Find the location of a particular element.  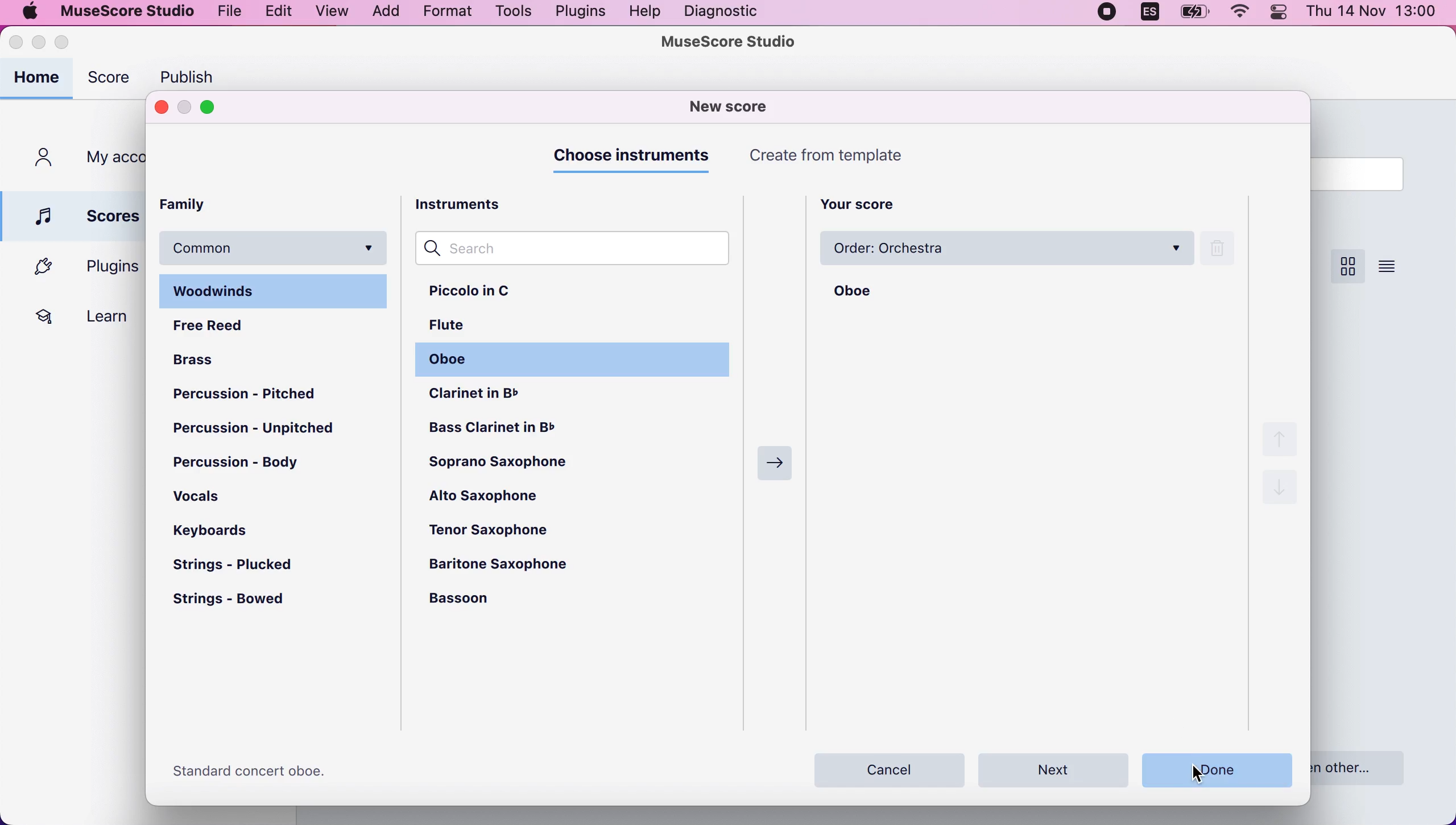

add is located at coordinates (384, 13).